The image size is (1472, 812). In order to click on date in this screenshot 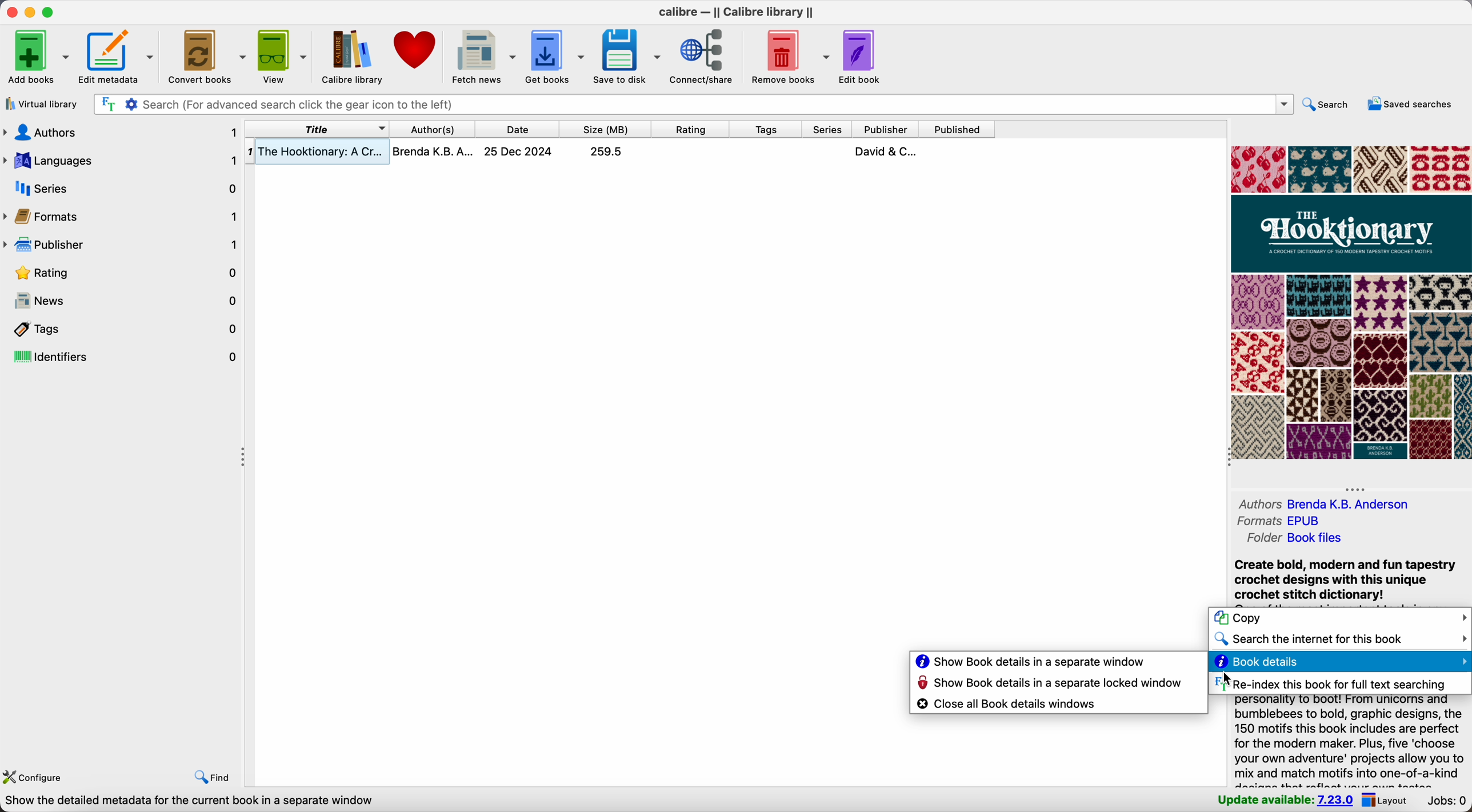, I will do `click(517, 129)`.